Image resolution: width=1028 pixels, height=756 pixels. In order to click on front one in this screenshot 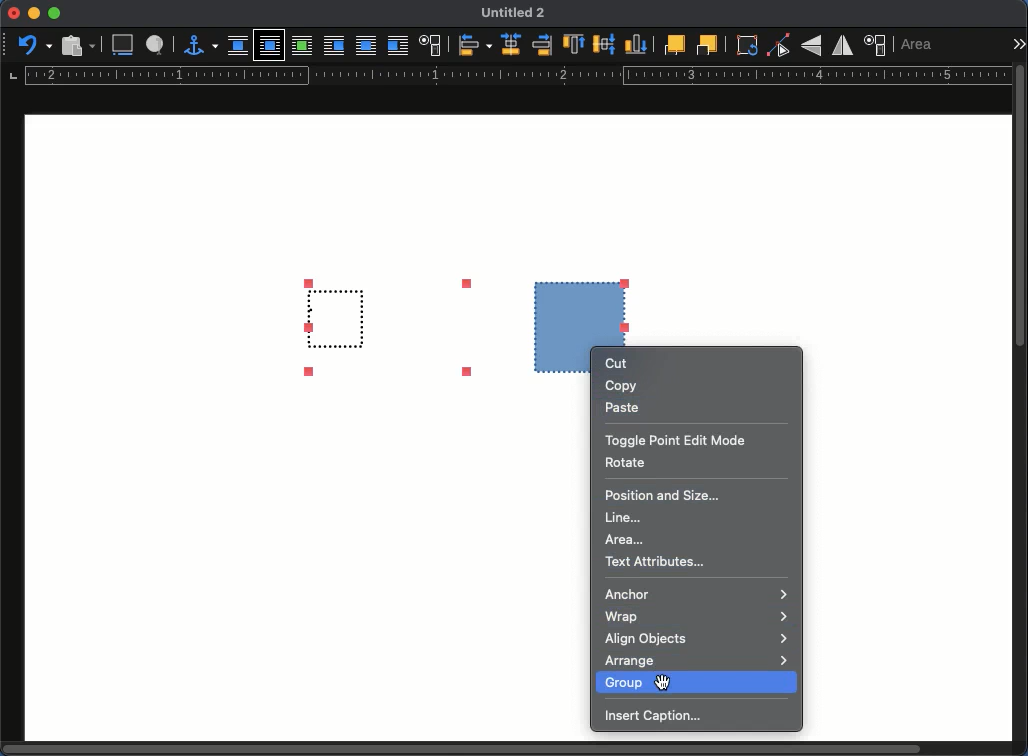, I will do `click(673, 47)`.